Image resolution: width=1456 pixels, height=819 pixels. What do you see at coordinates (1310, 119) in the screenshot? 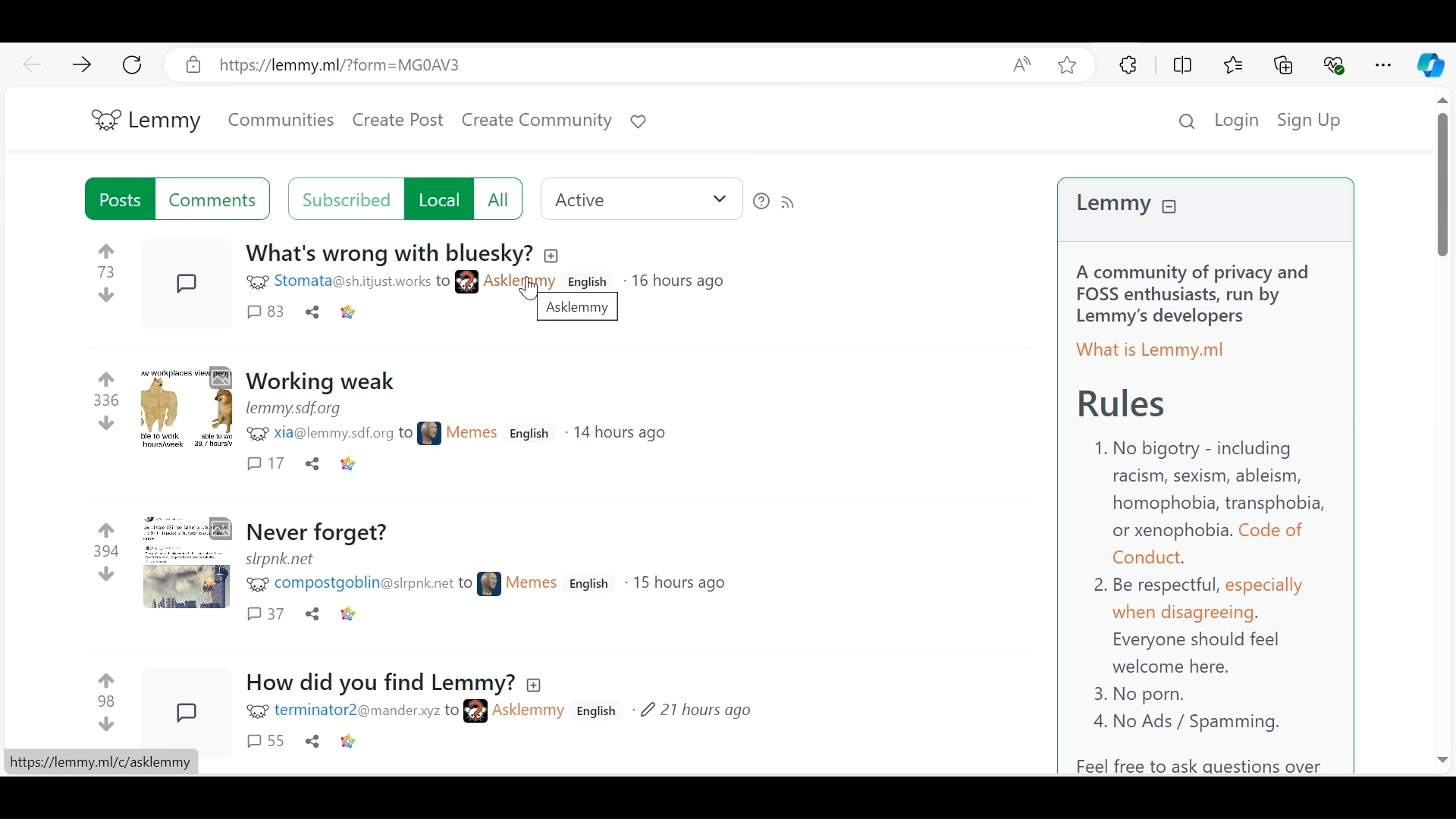
I see `Sign up` at bounding box center [1310, 119].